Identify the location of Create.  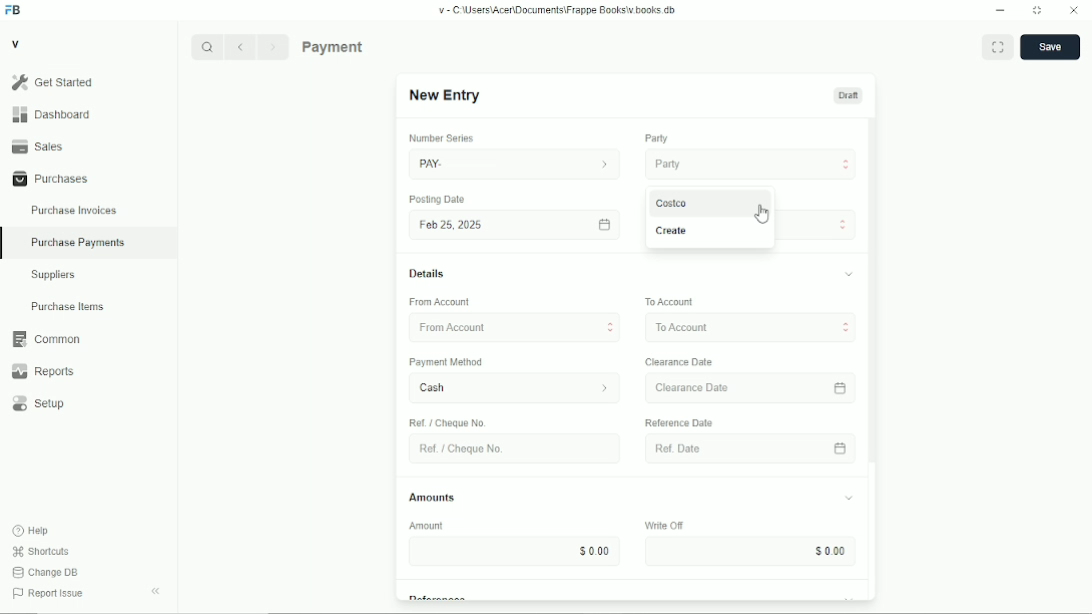
(710, 236).